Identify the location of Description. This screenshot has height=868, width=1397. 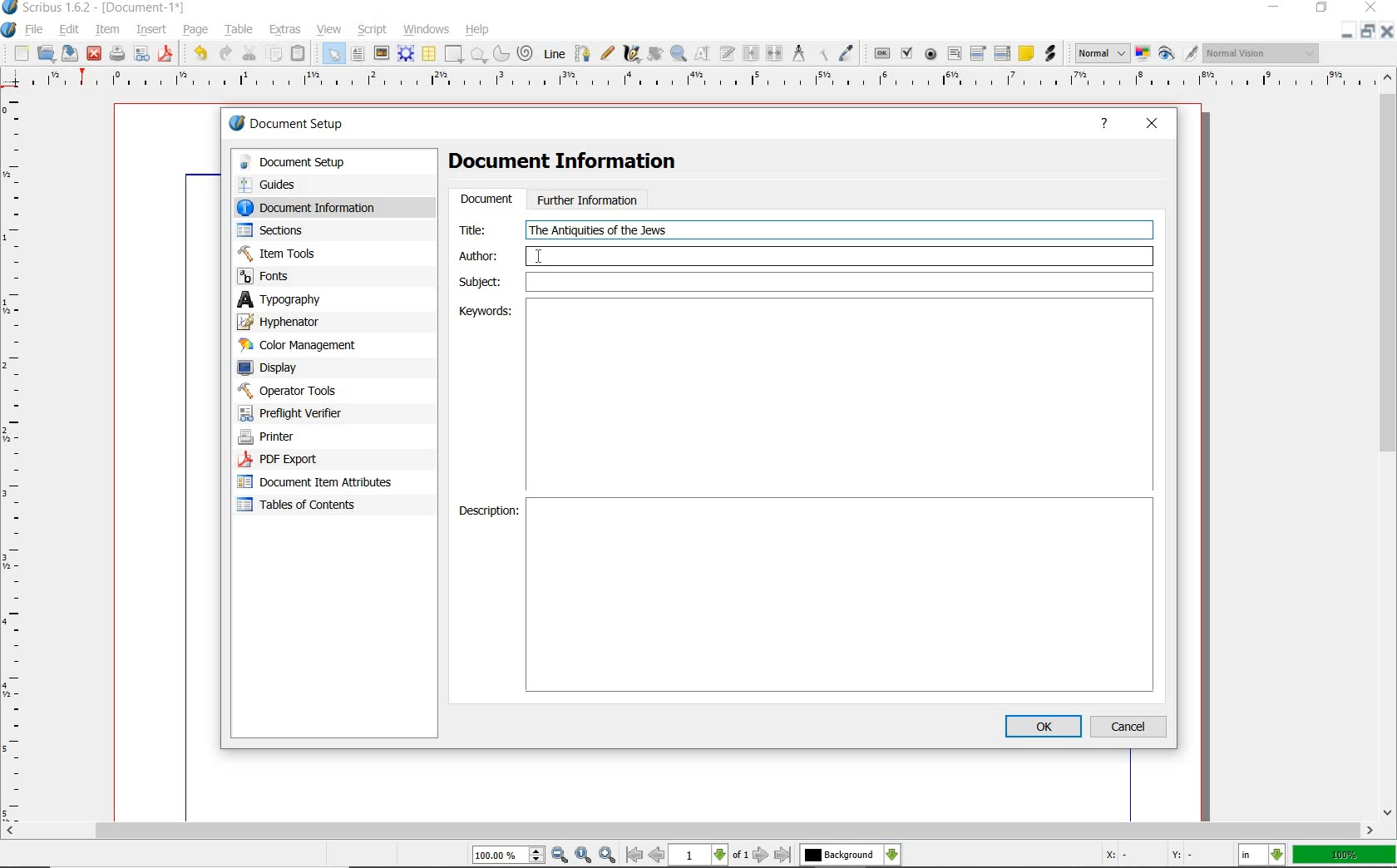
(487, 513).